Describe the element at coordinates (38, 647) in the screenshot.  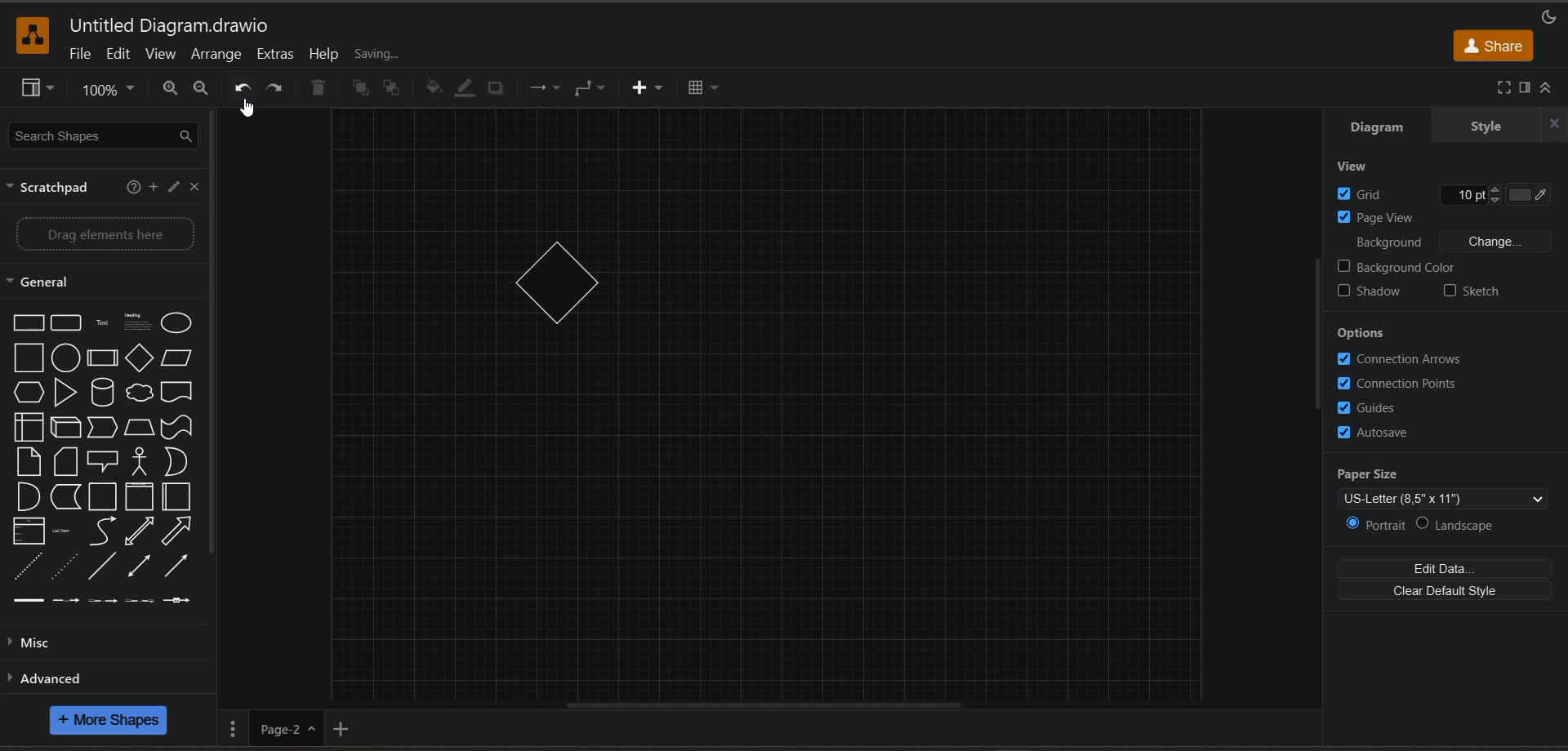
I see `misc` at that location.